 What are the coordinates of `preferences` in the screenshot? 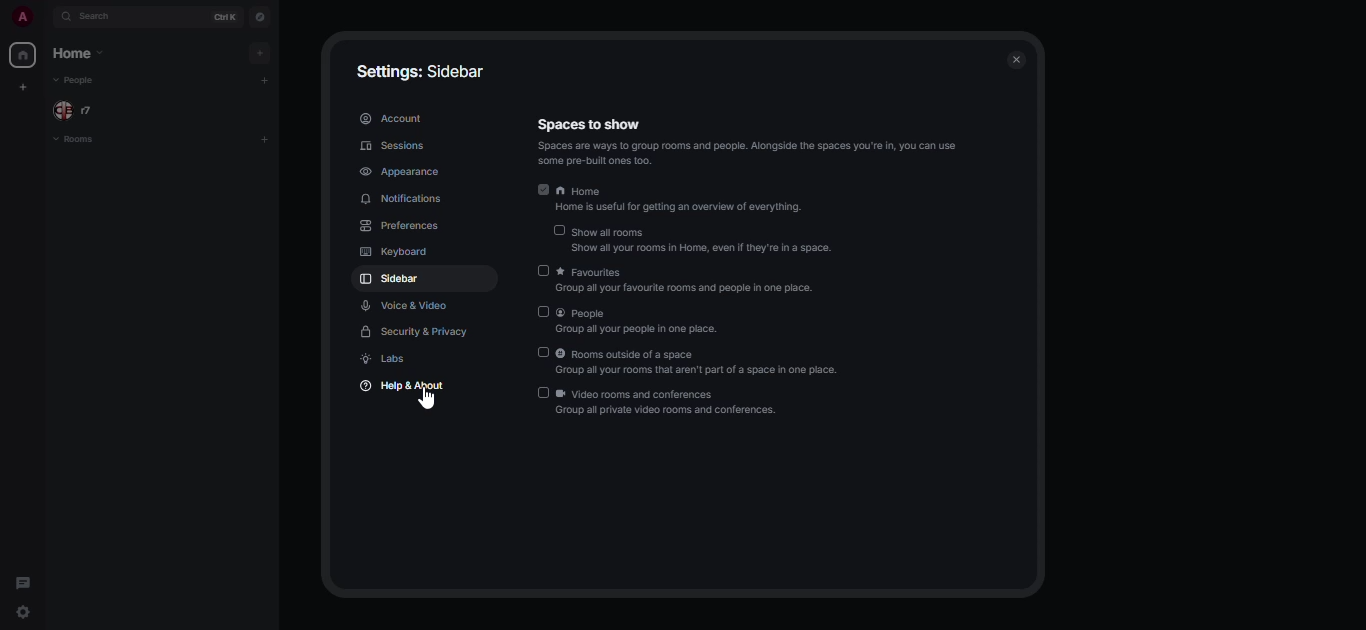 It's located at (398, 226).